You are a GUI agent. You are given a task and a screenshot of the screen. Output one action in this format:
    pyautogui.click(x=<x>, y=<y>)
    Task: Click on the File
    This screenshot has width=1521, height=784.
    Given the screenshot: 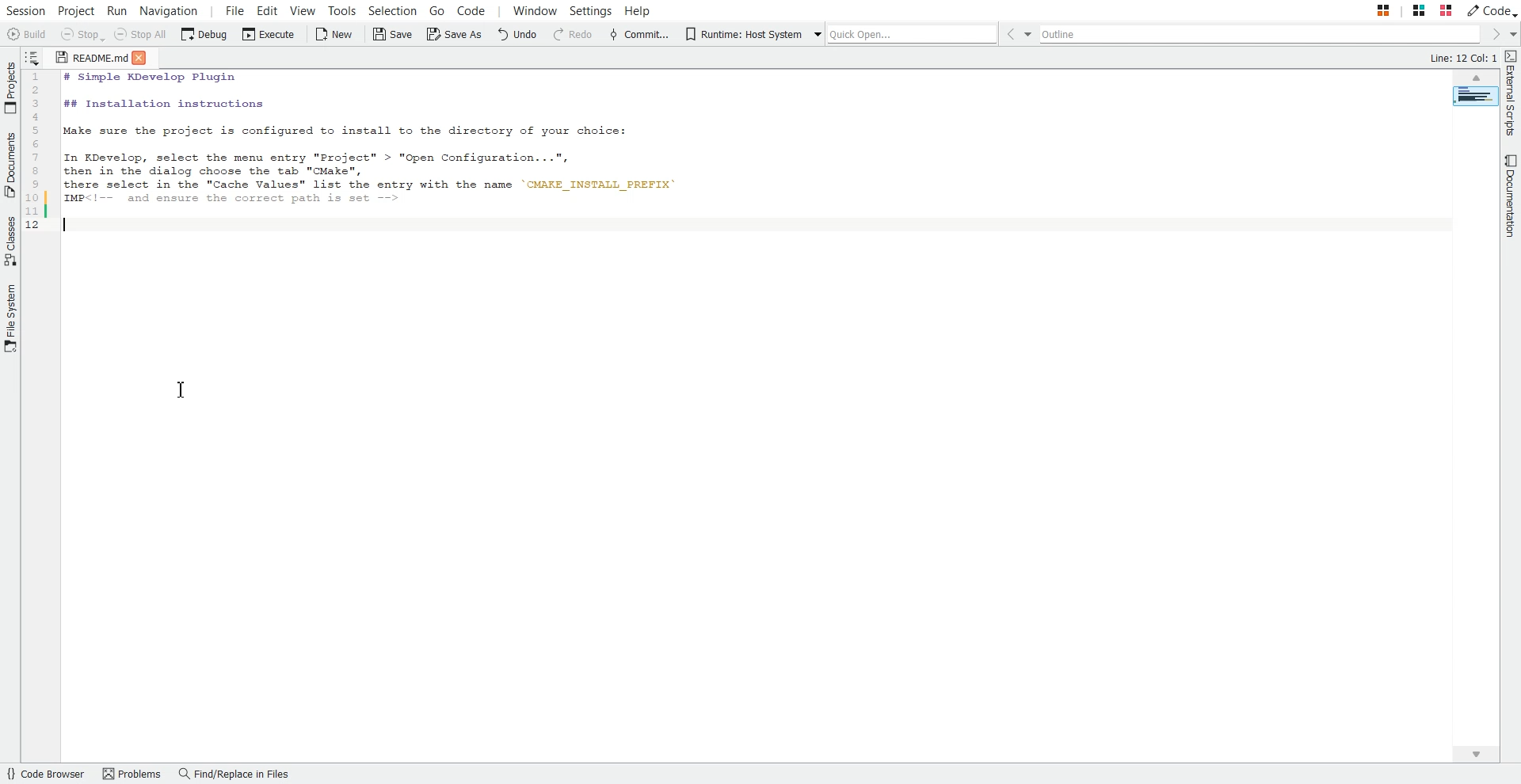 What is the action you would take?
    pyautogui.click(x=235, y=10)
    